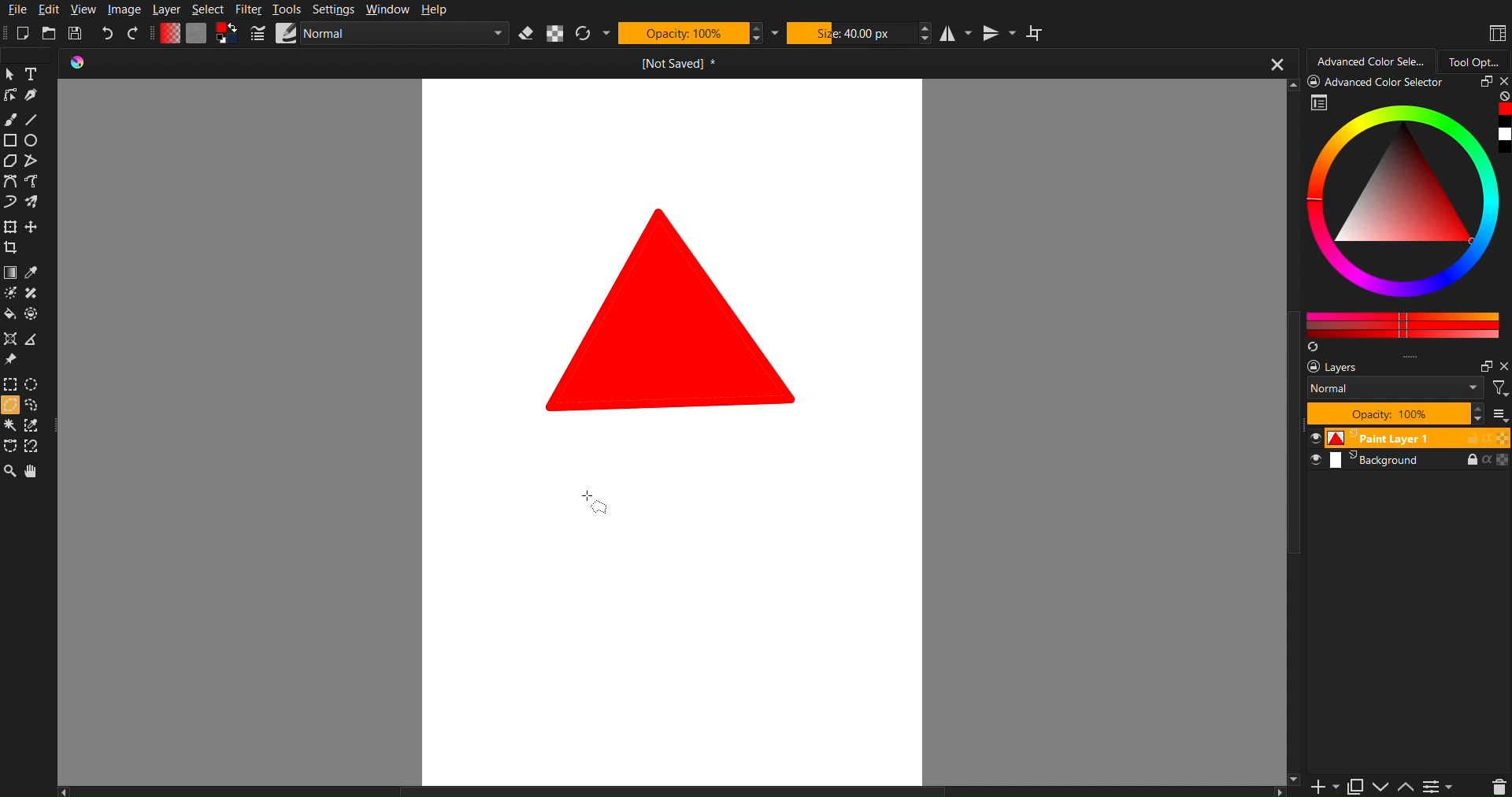 This screenshot has width=1512, height=797. I want to click on Brush, so click(13, 119).